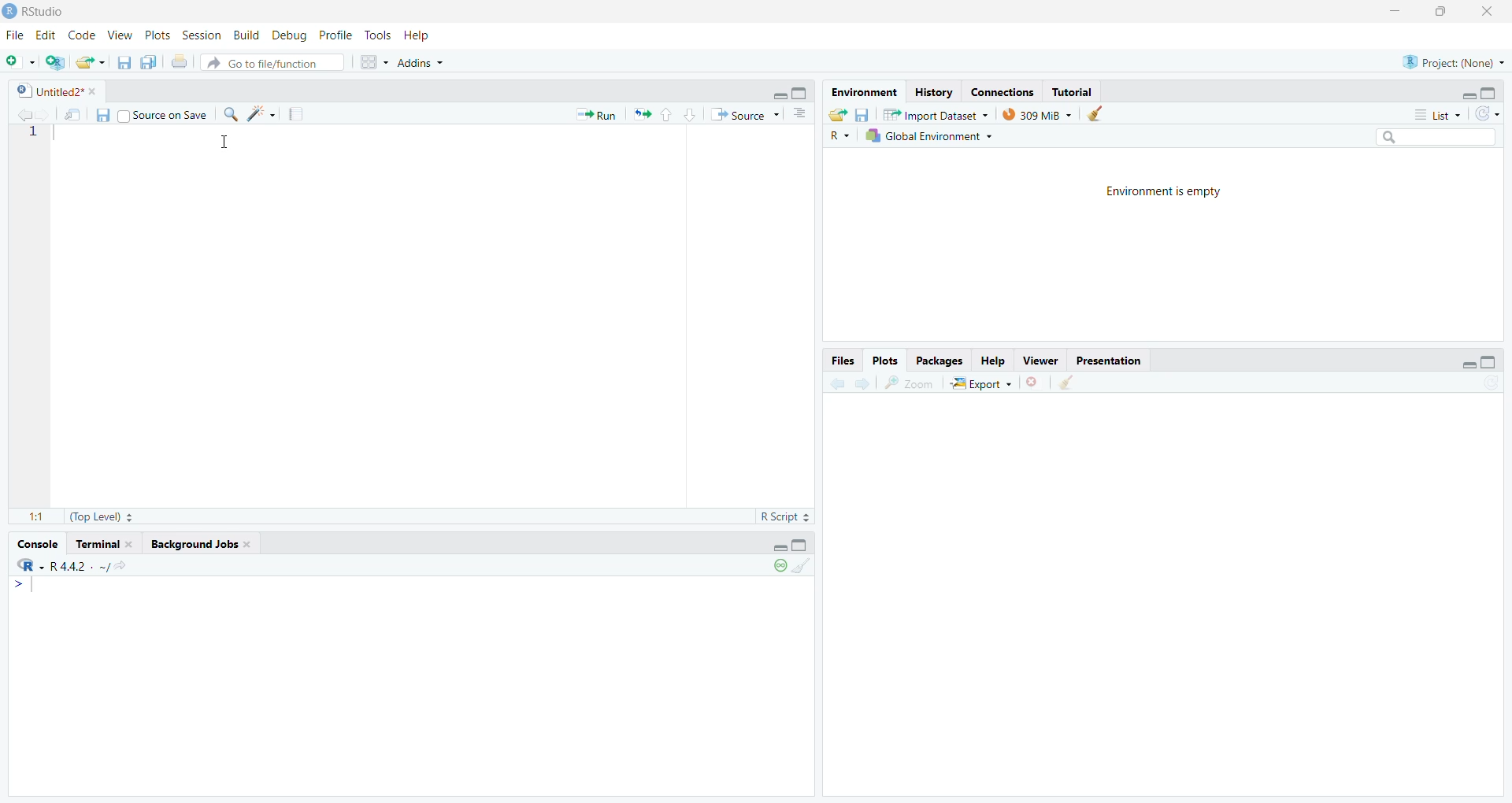  I want to click on refresh, so click(1487, 113).